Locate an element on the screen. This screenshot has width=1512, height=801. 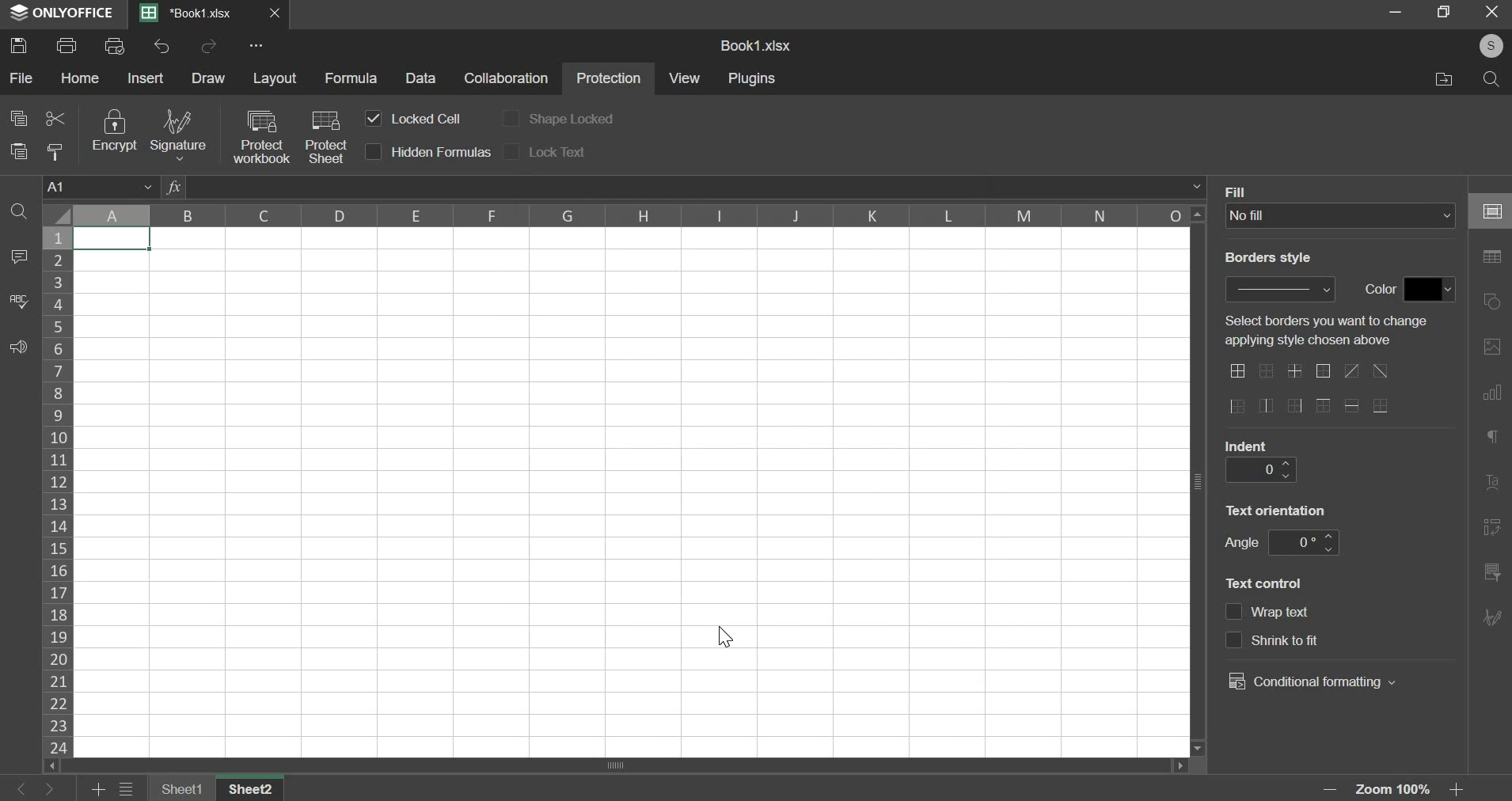
border options is located at coordinates (1293, 408).